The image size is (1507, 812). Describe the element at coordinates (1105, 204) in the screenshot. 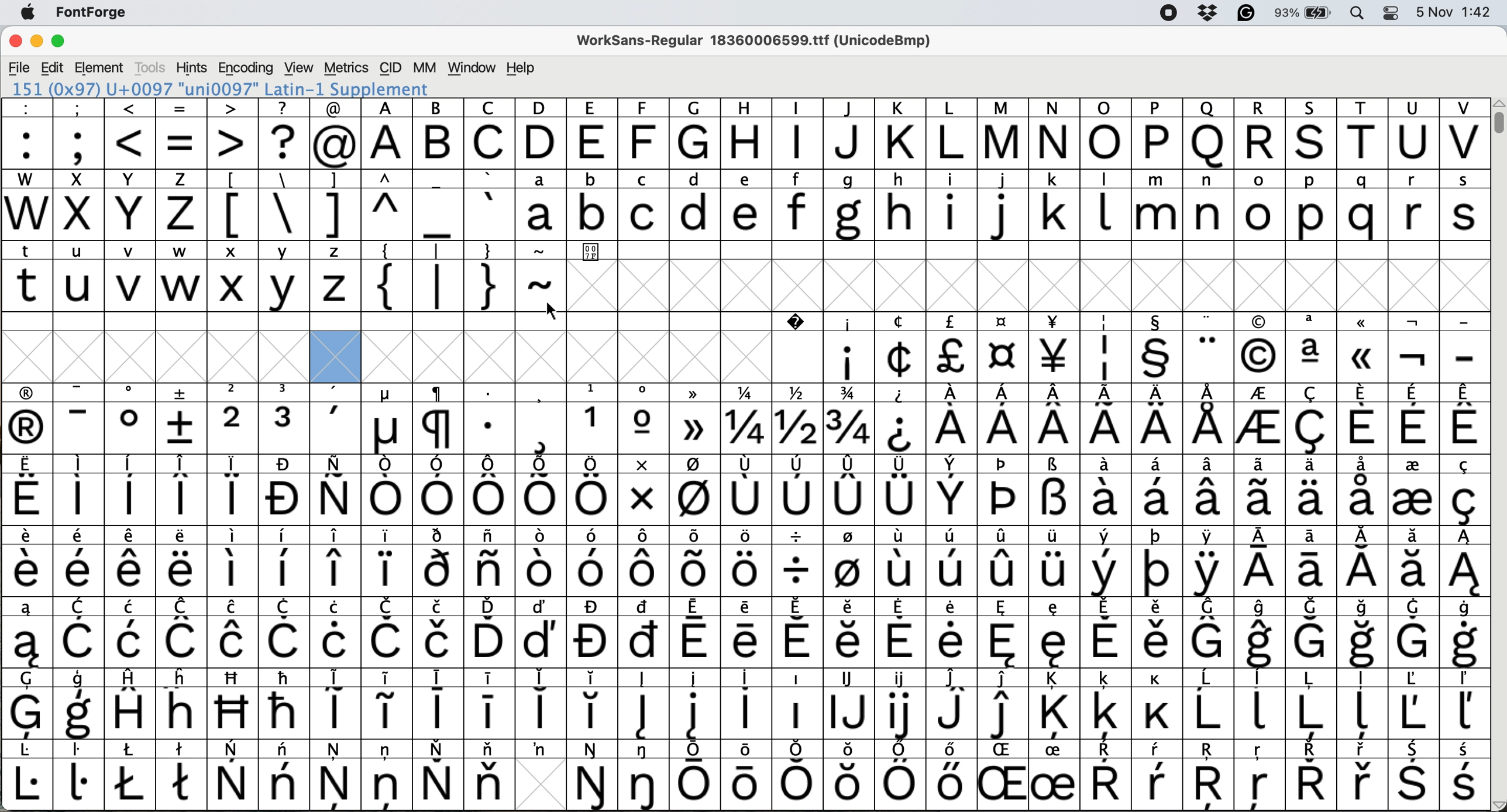

I see `l` at that location.